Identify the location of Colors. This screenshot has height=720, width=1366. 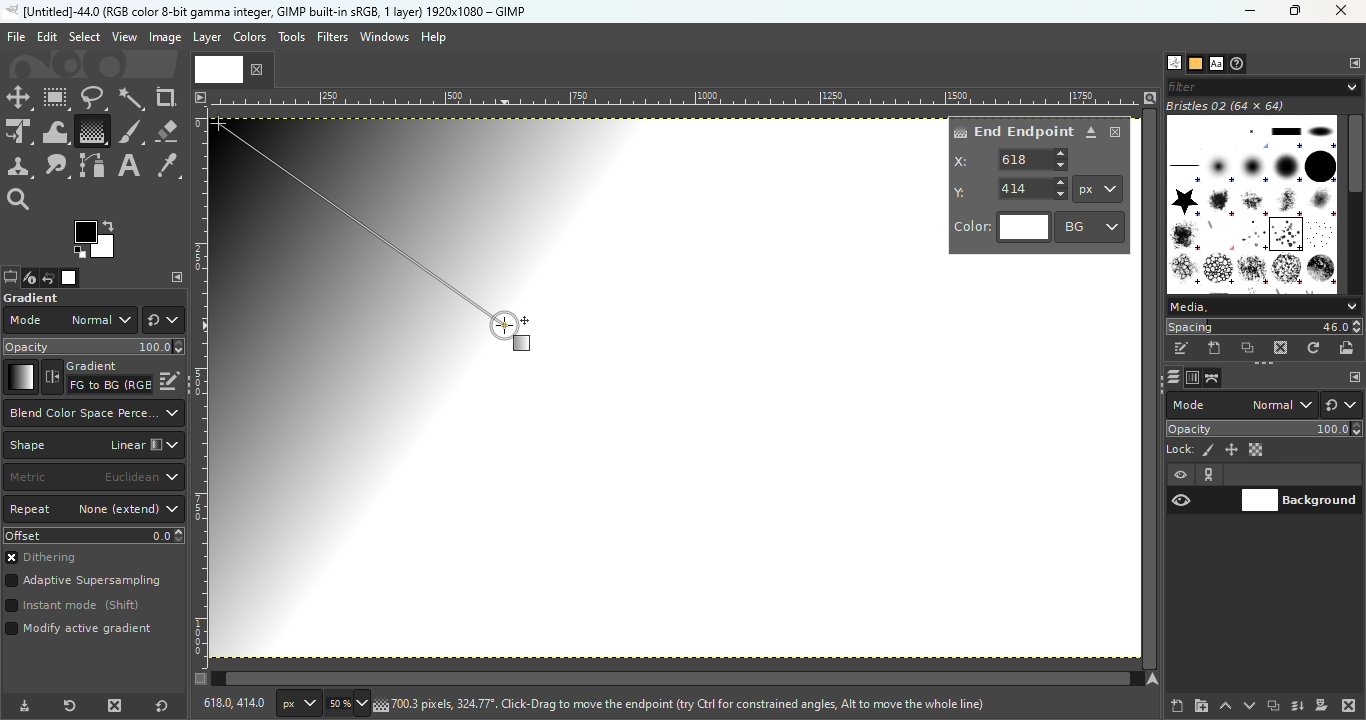
(248, 36).